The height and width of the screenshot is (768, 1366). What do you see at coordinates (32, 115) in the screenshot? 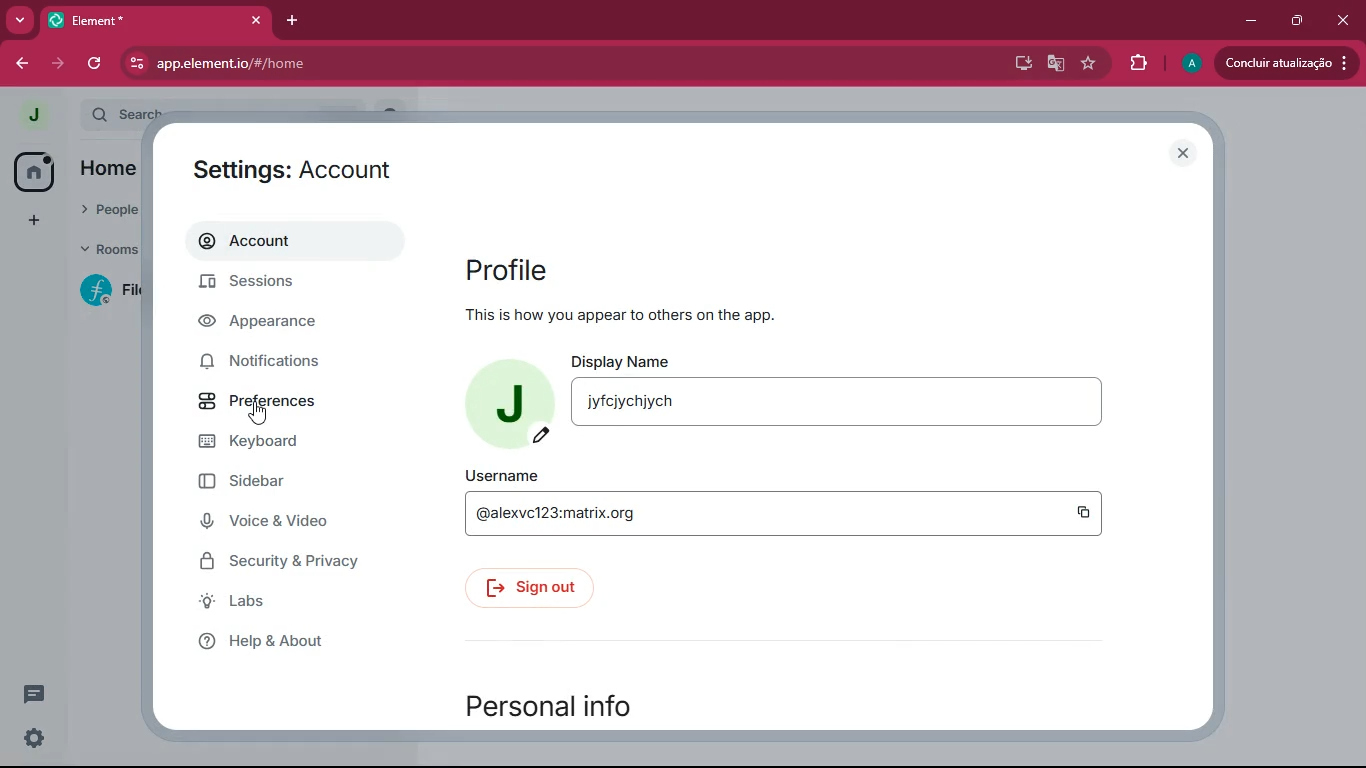
I see `profile picture` at bounding box center [32, 115].